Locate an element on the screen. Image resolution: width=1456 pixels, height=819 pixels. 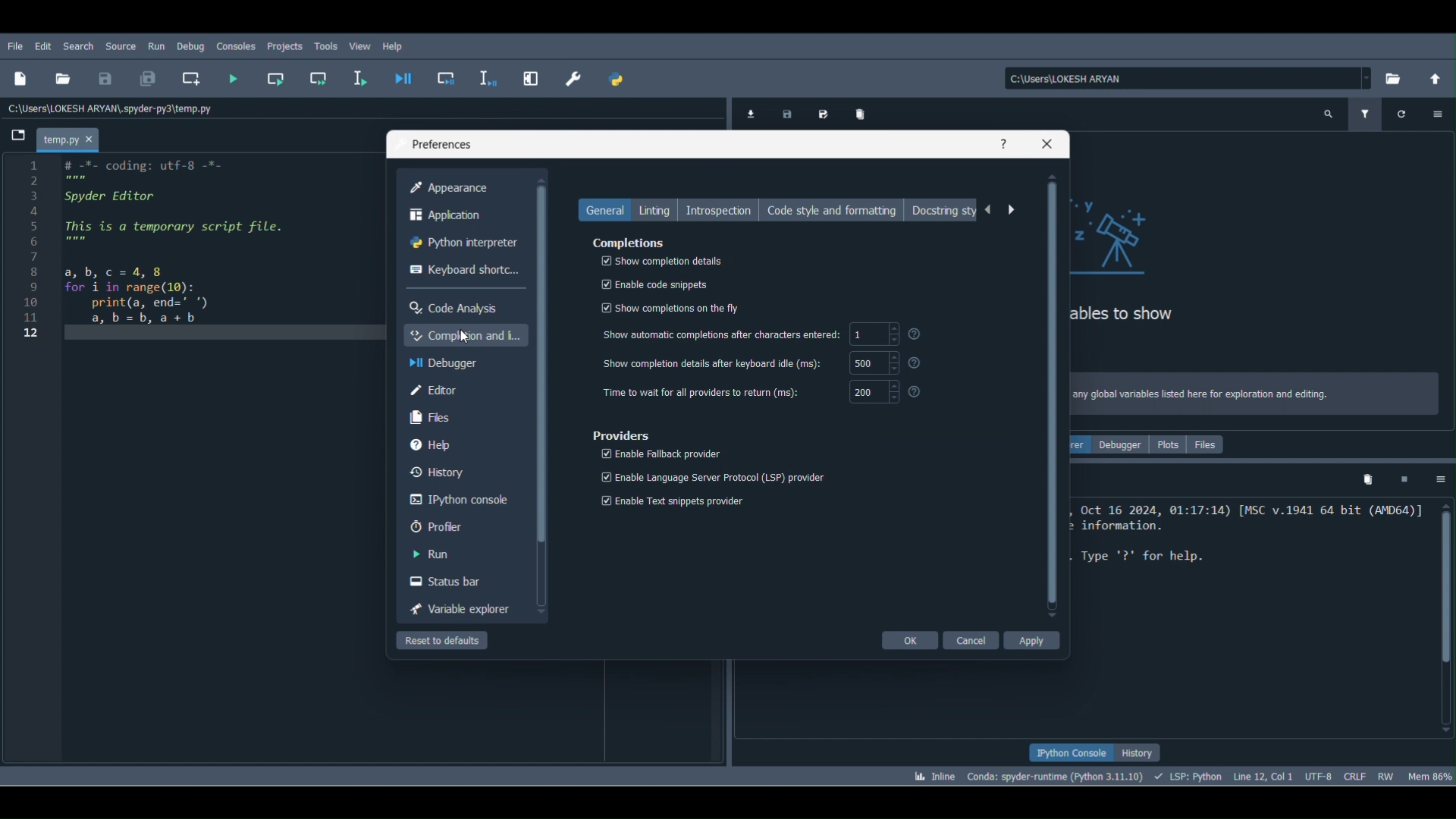
Remove all variables is located at coordinates (864, 114).